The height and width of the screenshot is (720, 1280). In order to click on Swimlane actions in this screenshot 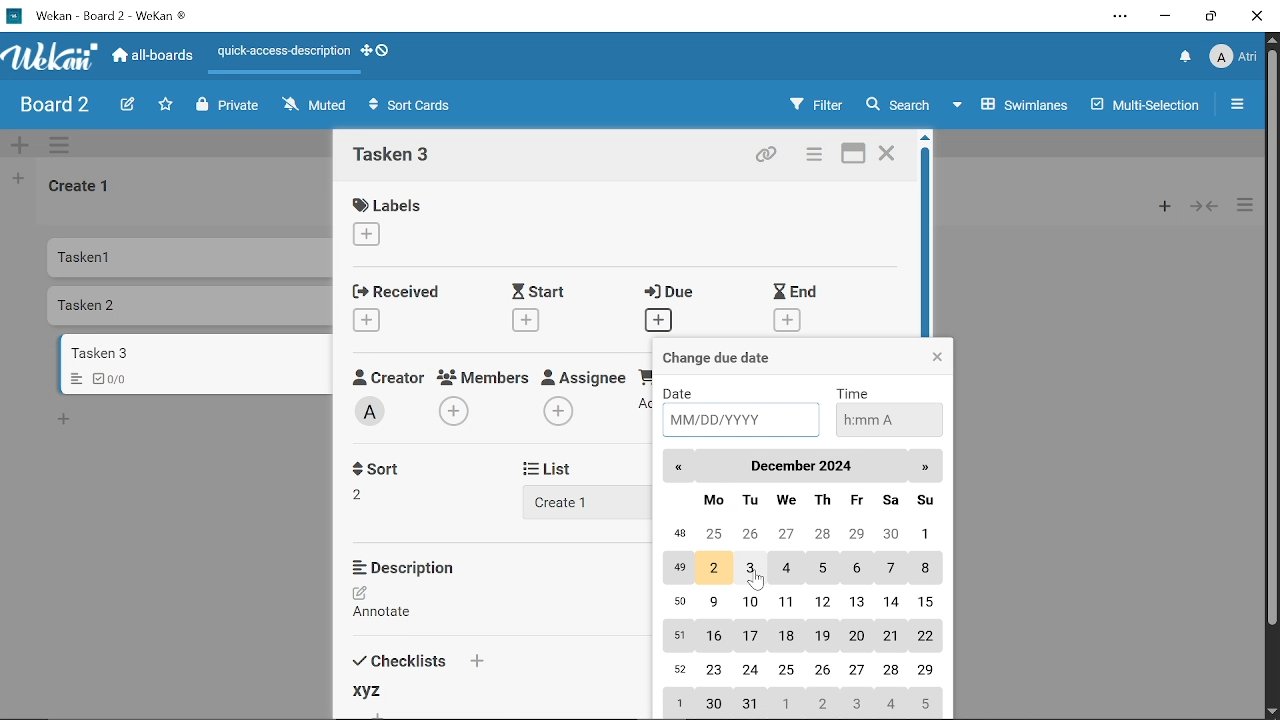, I will do `click(64, 146)`.